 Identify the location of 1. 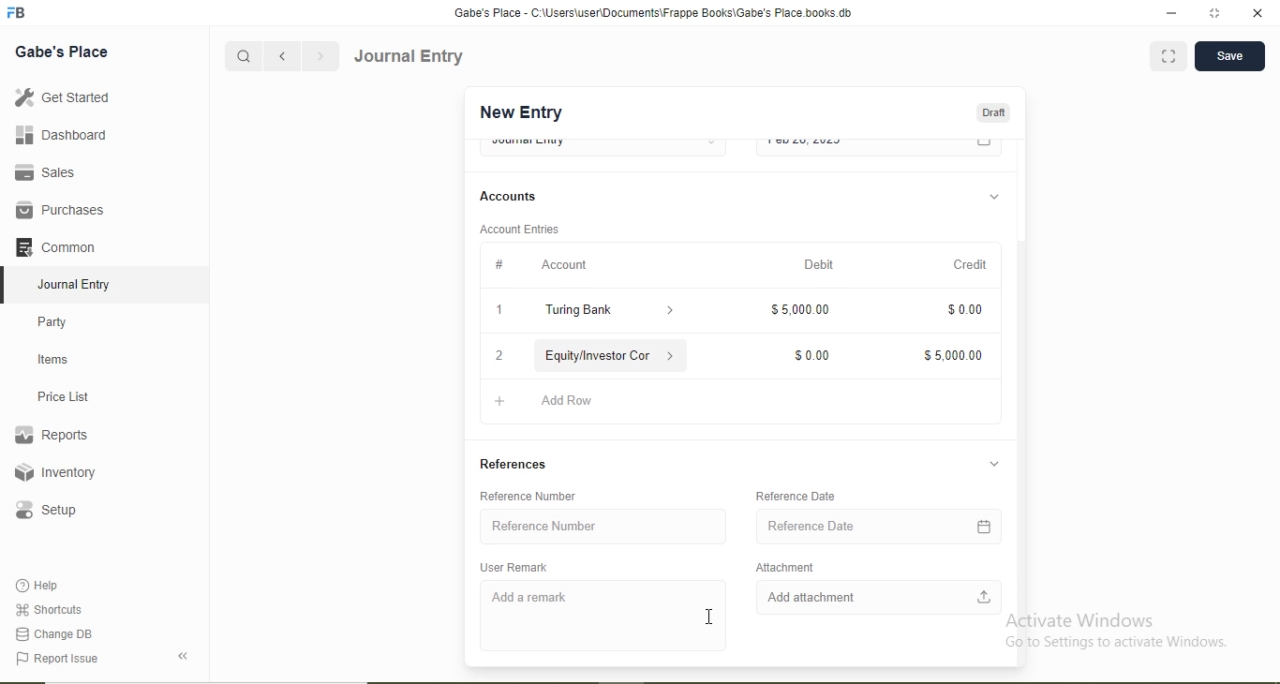
(499, 309).